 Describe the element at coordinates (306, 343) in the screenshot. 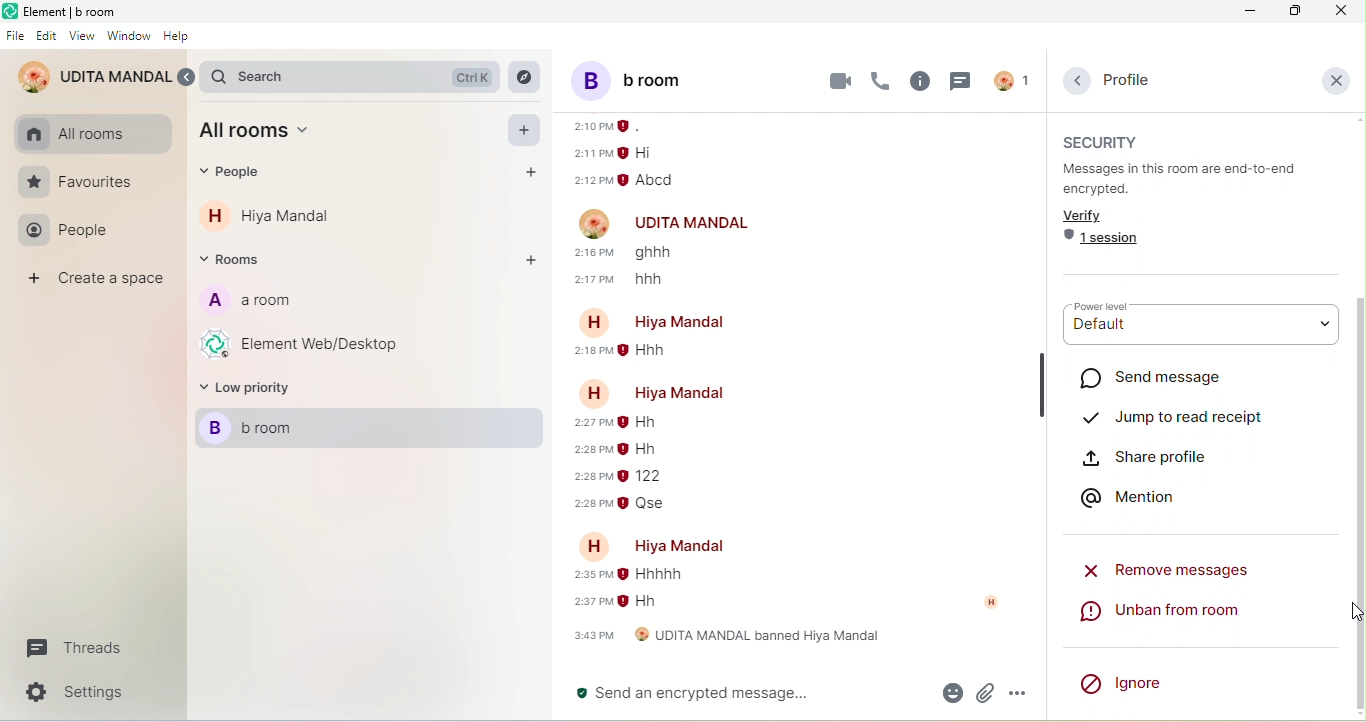

I see `element web/desktop` at that location.